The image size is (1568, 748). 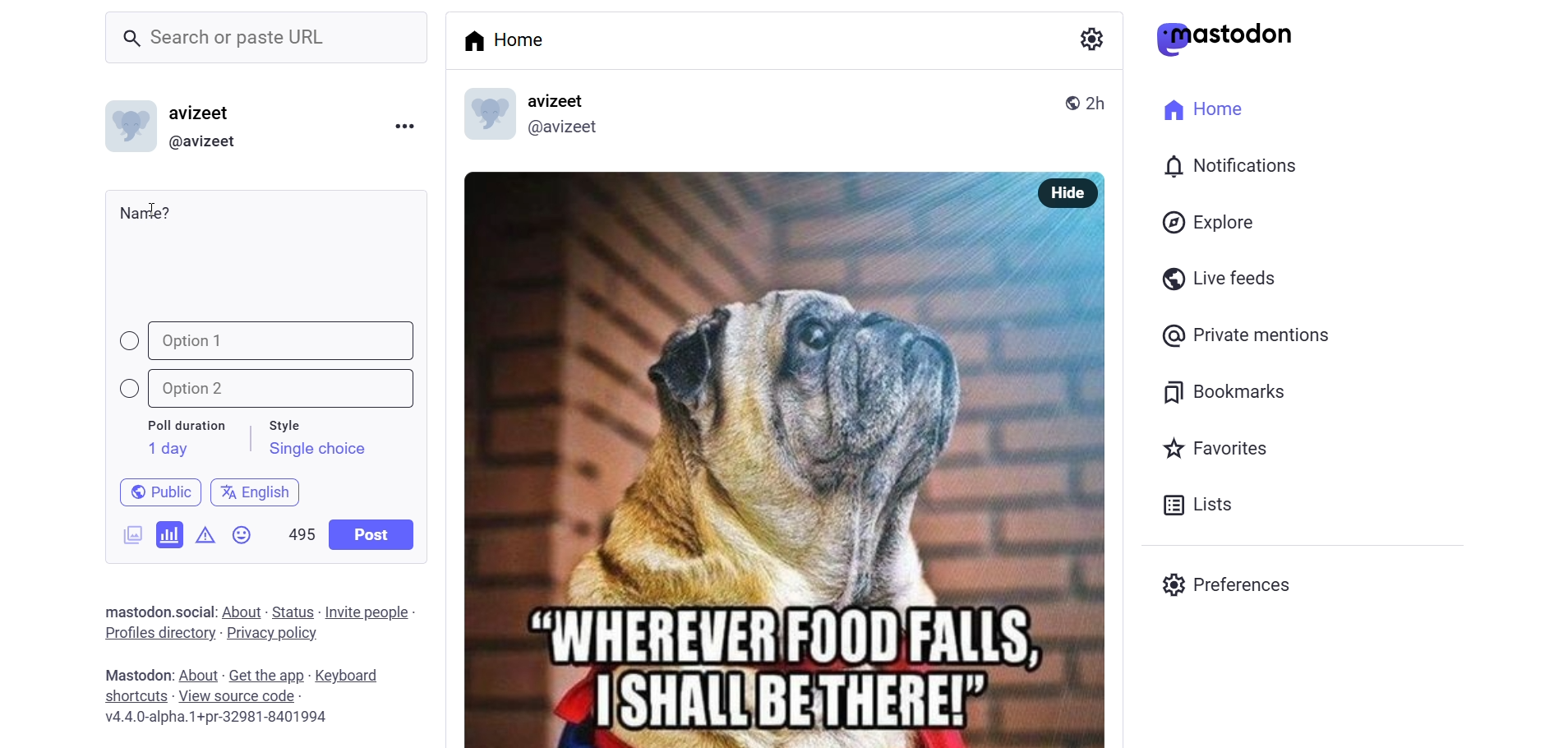 I want to click on keyboard, so click(x=354, y=676).